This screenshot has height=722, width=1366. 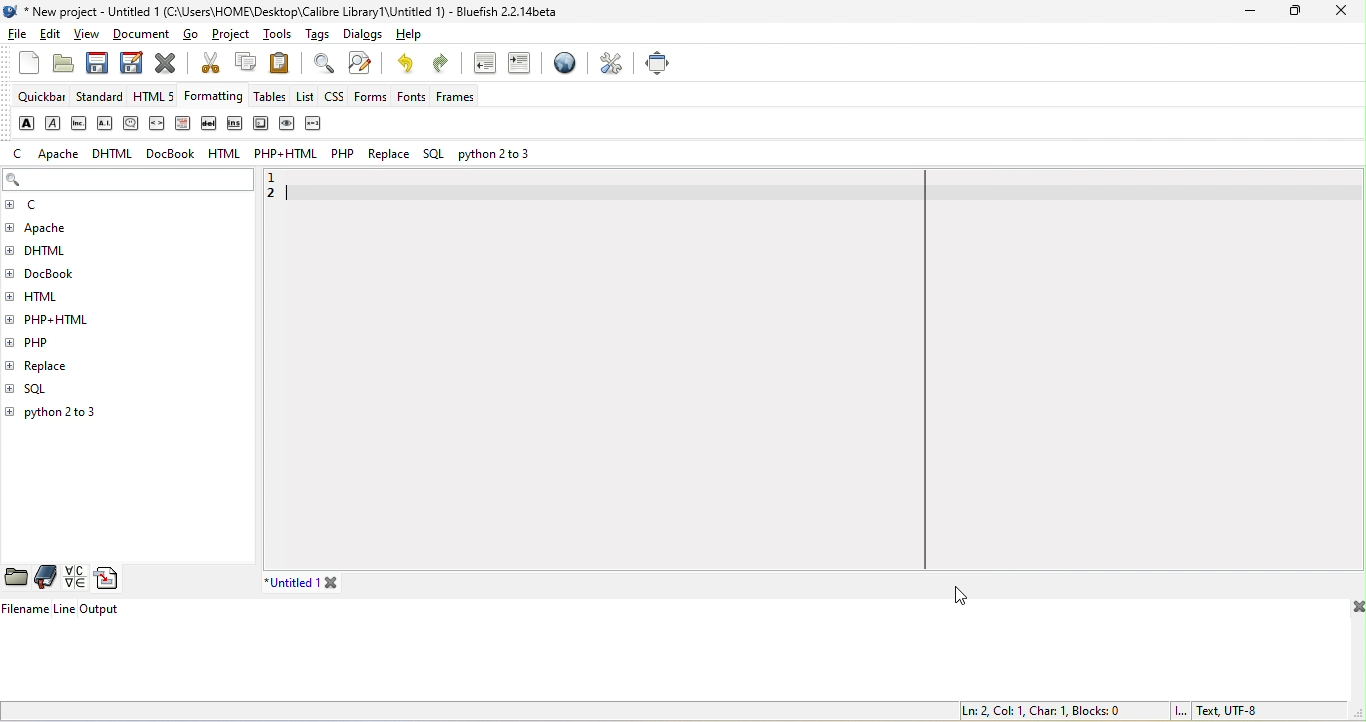 What do you see at coordinates (275, 34) in the screenshot?
I see `tools` at bounding box center [275, 34].